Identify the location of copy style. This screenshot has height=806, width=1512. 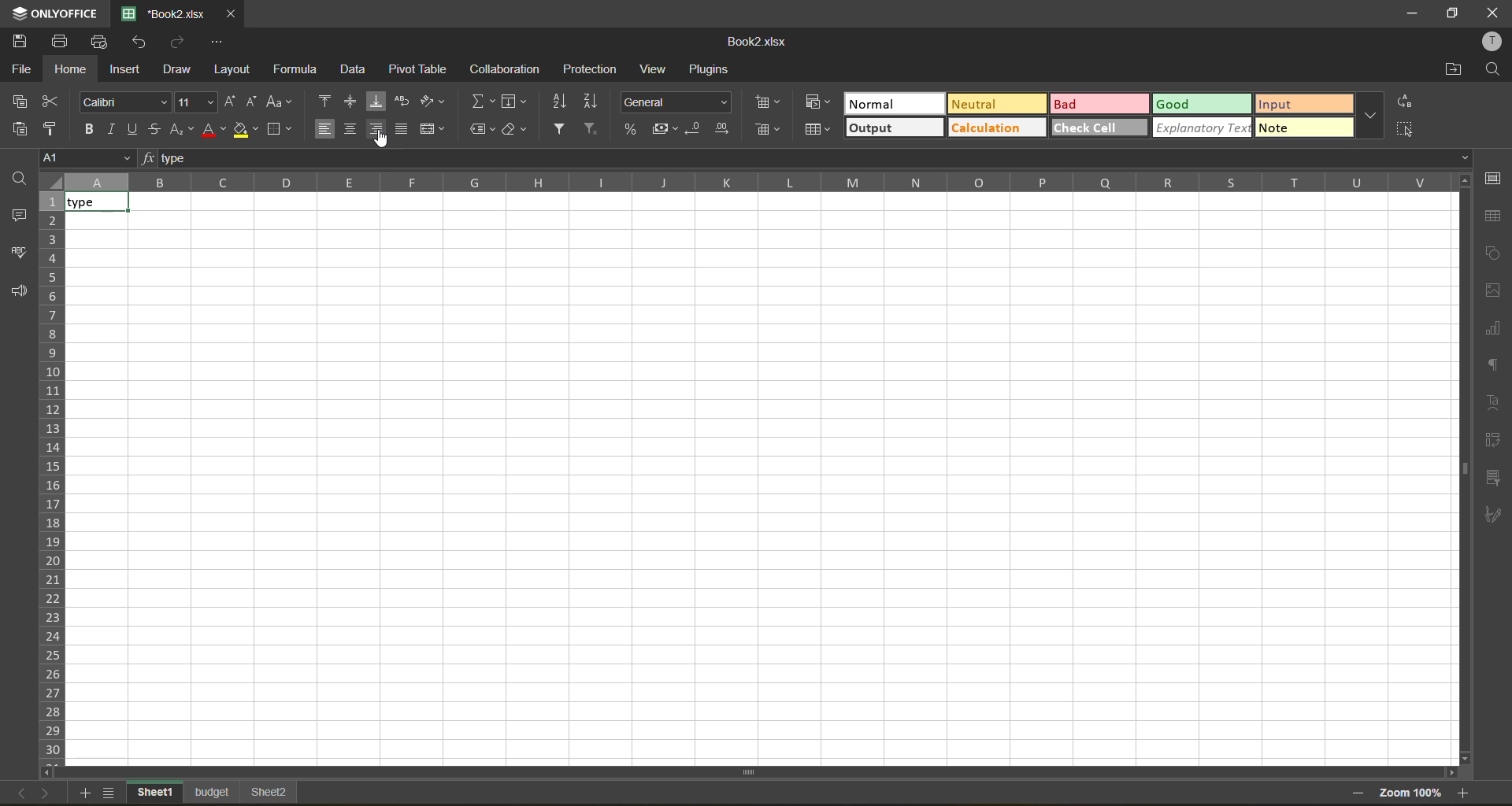
(57, 129).